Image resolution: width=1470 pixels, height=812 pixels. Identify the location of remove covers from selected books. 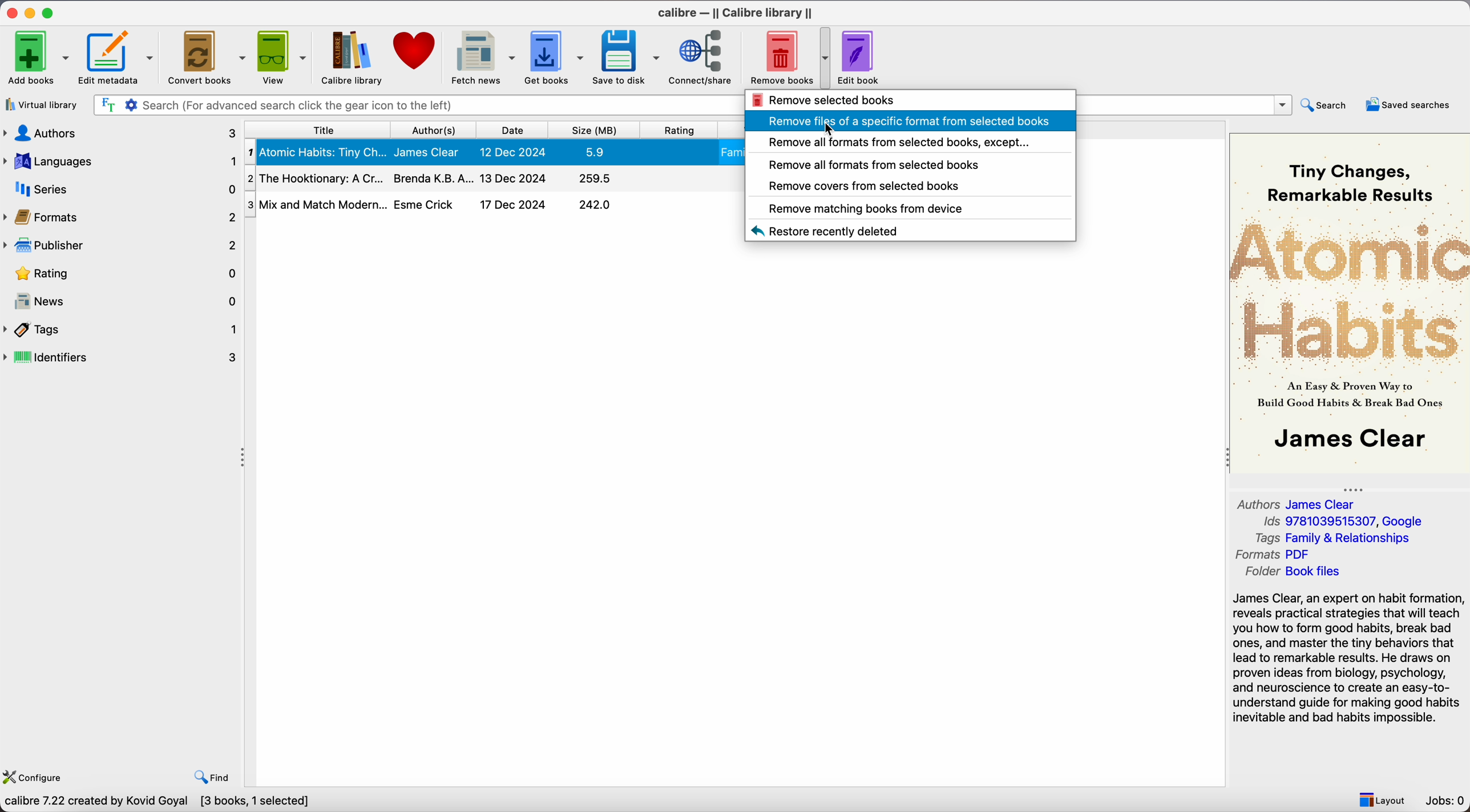
(862, 186).